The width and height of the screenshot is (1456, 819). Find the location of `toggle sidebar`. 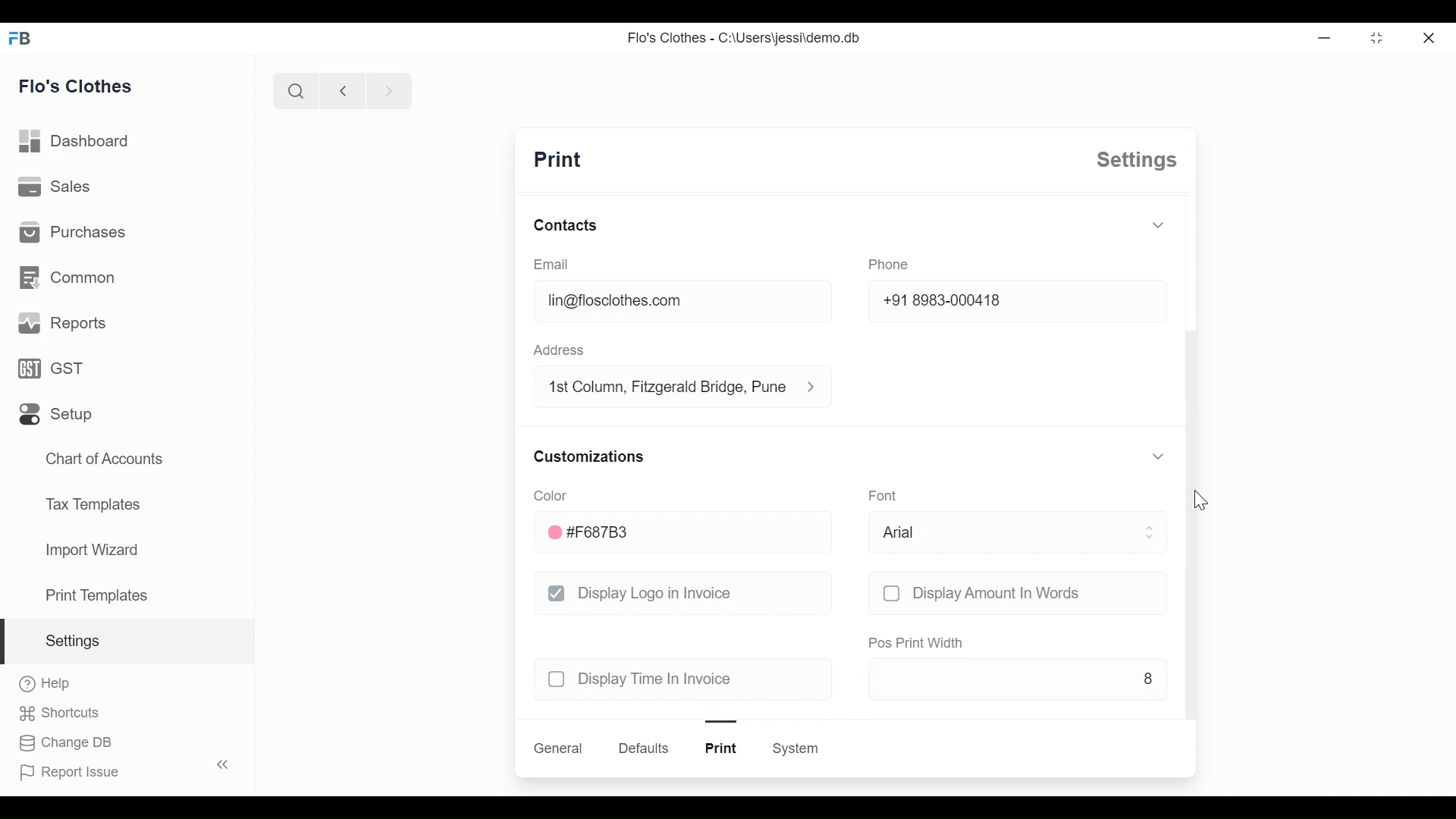

toggle sidebar is located at coordinates (224, 764).